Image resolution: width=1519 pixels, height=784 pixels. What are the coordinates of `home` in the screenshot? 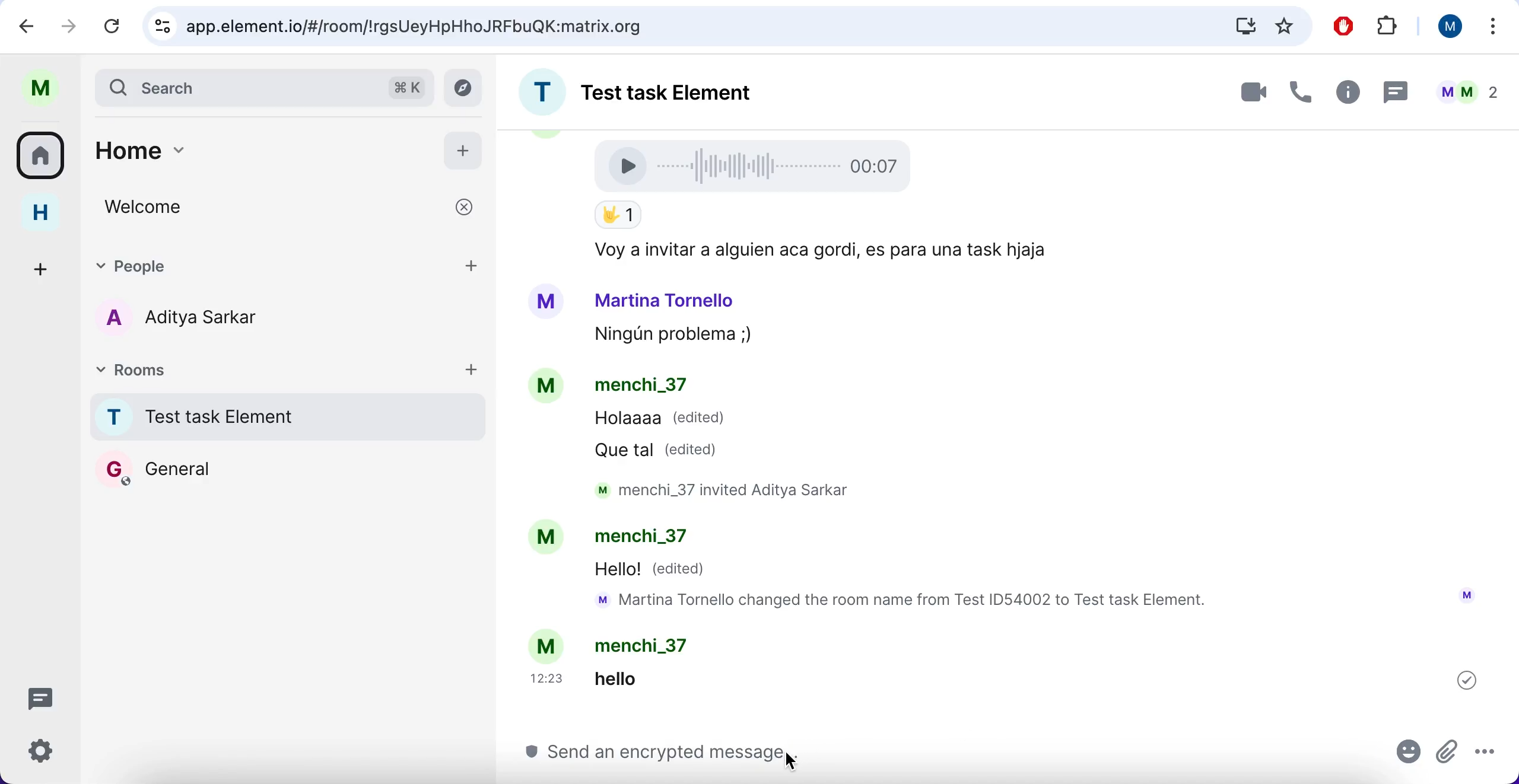 It's located at (247, 157).